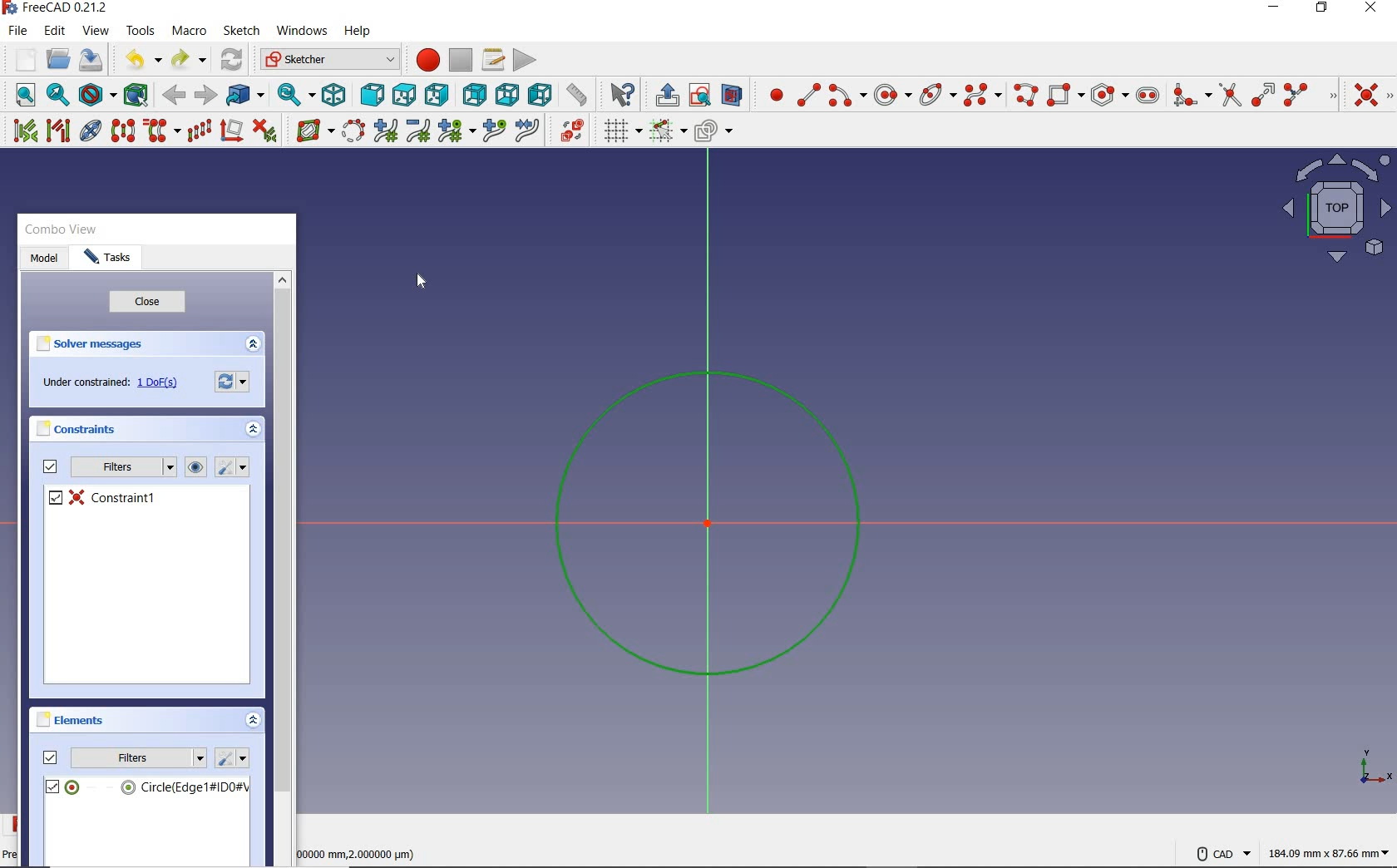 This screenshot has height=868, width=1397. What do you see at coordinates (90, 60) in the screenshot?
I see `save` at bounding box center [90, 60].